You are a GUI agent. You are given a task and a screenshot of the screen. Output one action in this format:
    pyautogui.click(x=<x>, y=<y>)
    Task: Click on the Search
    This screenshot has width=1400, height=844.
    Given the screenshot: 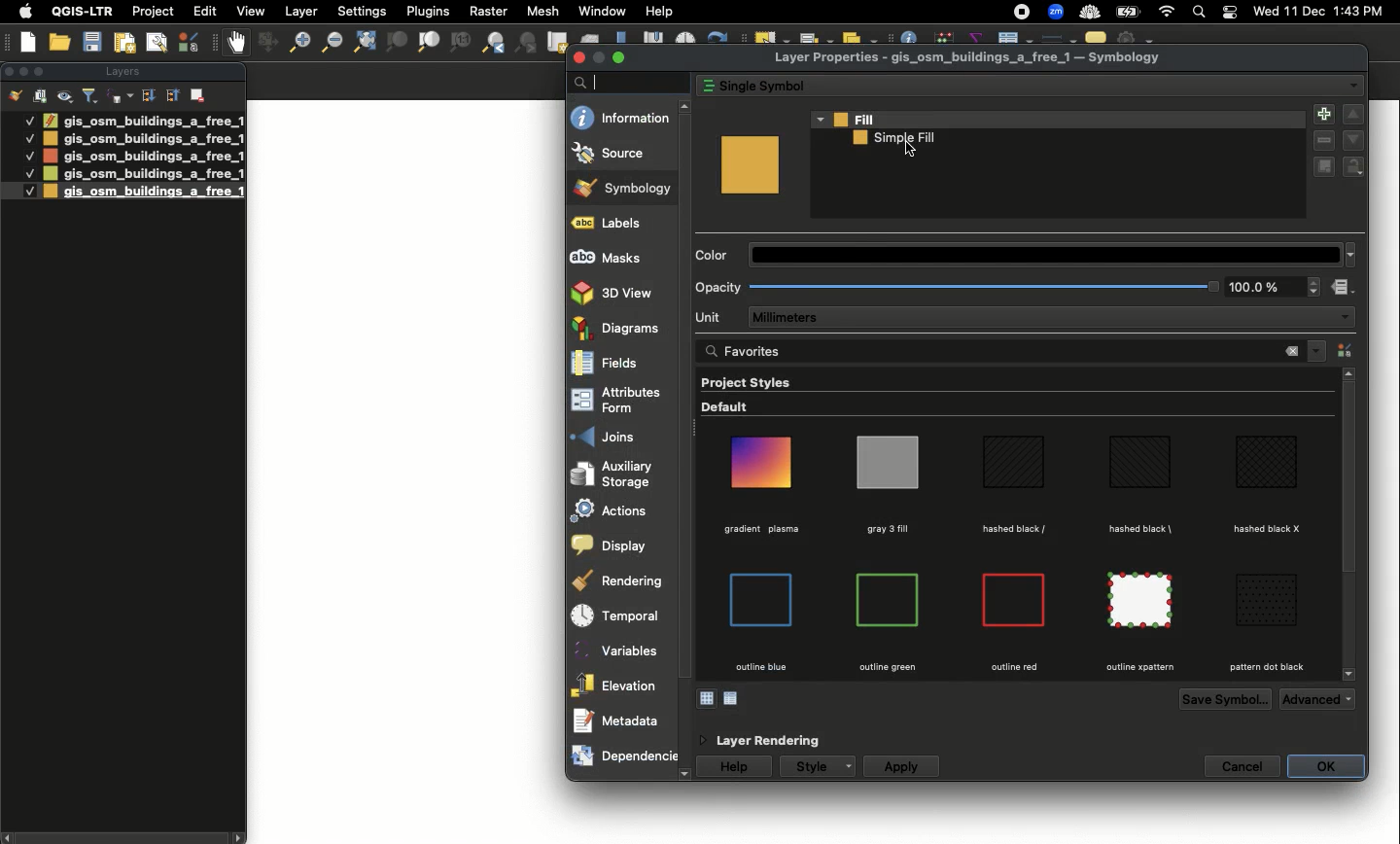 What is the action you would take?
    pyautogui.click(x=1197, y=14)
    